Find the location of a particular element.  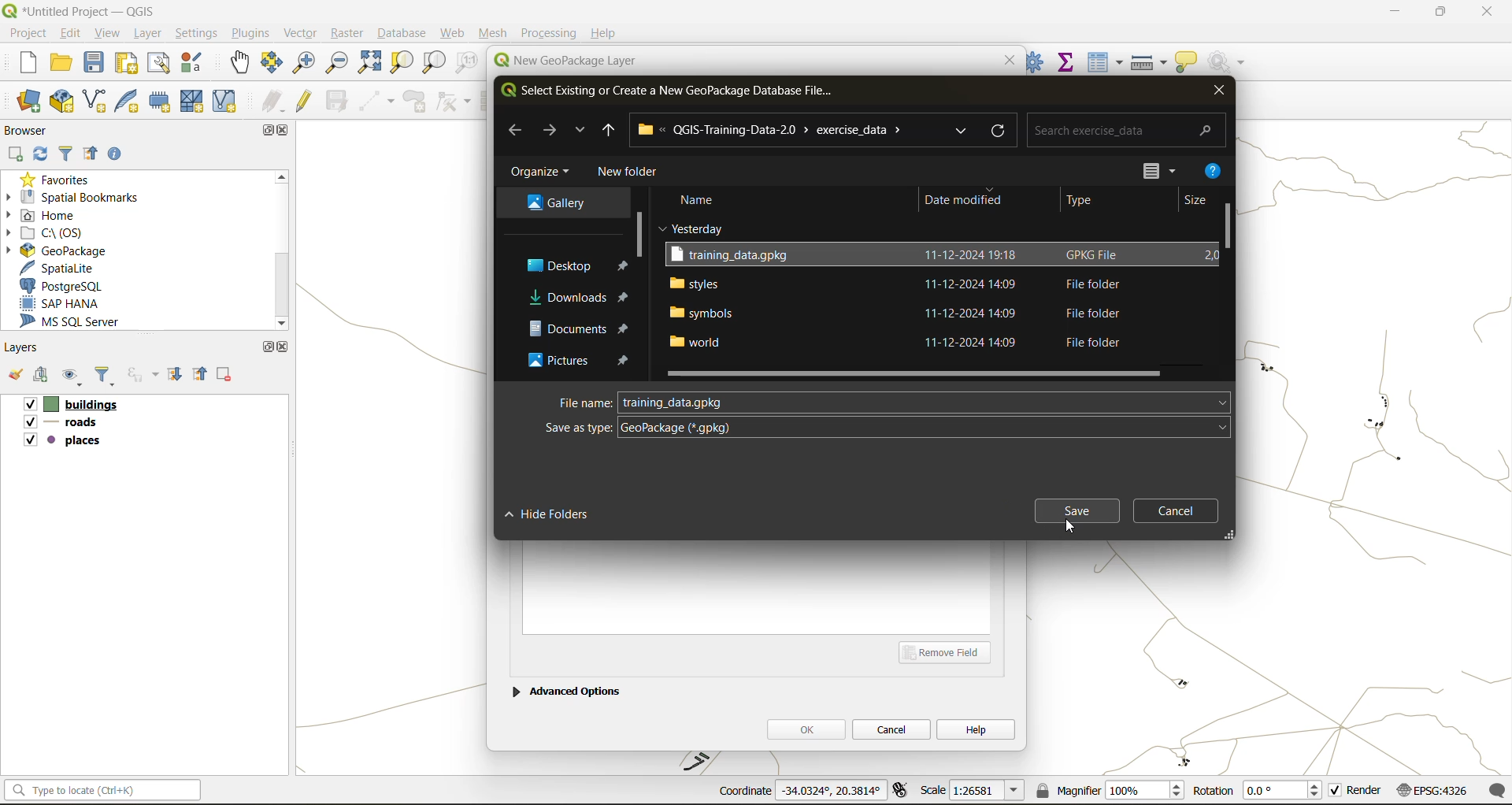

File folder is located at coordinates (1089, 284).